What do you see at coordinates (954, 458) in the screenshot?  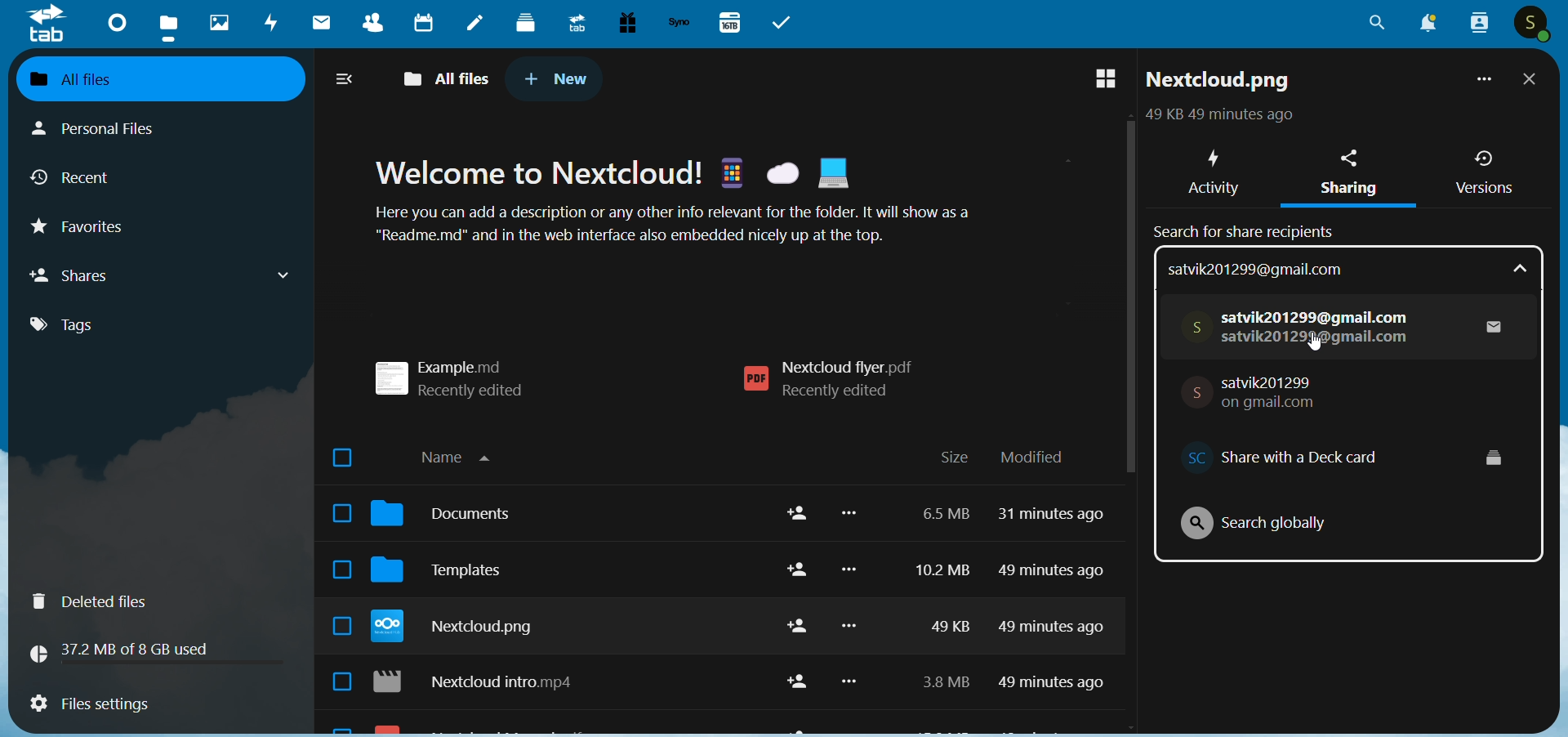 I see `size` at bounding box center [954, 458].